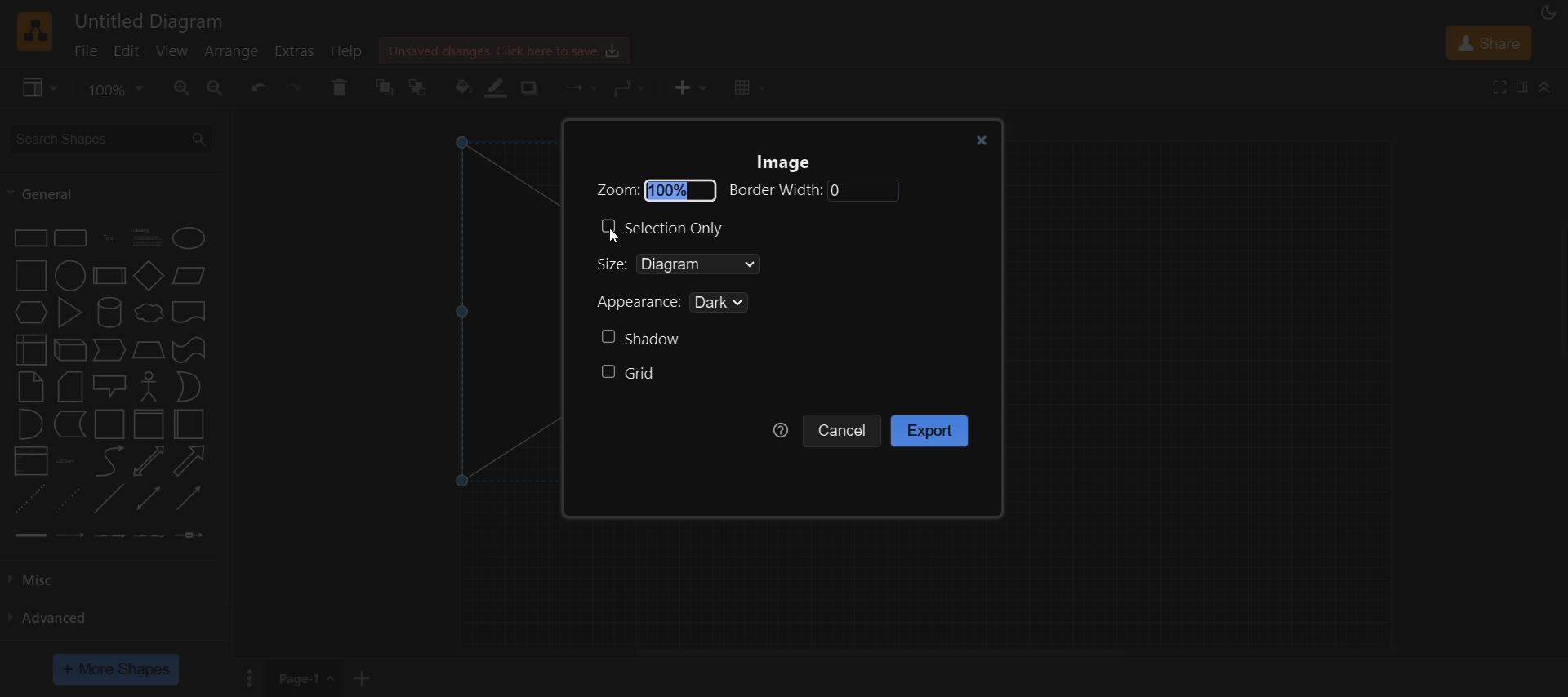 The width and height of the screenshot is (1568, 697). Describe the element at coordinates (844, 430) in the screenshot. I see `cancle` at that location.